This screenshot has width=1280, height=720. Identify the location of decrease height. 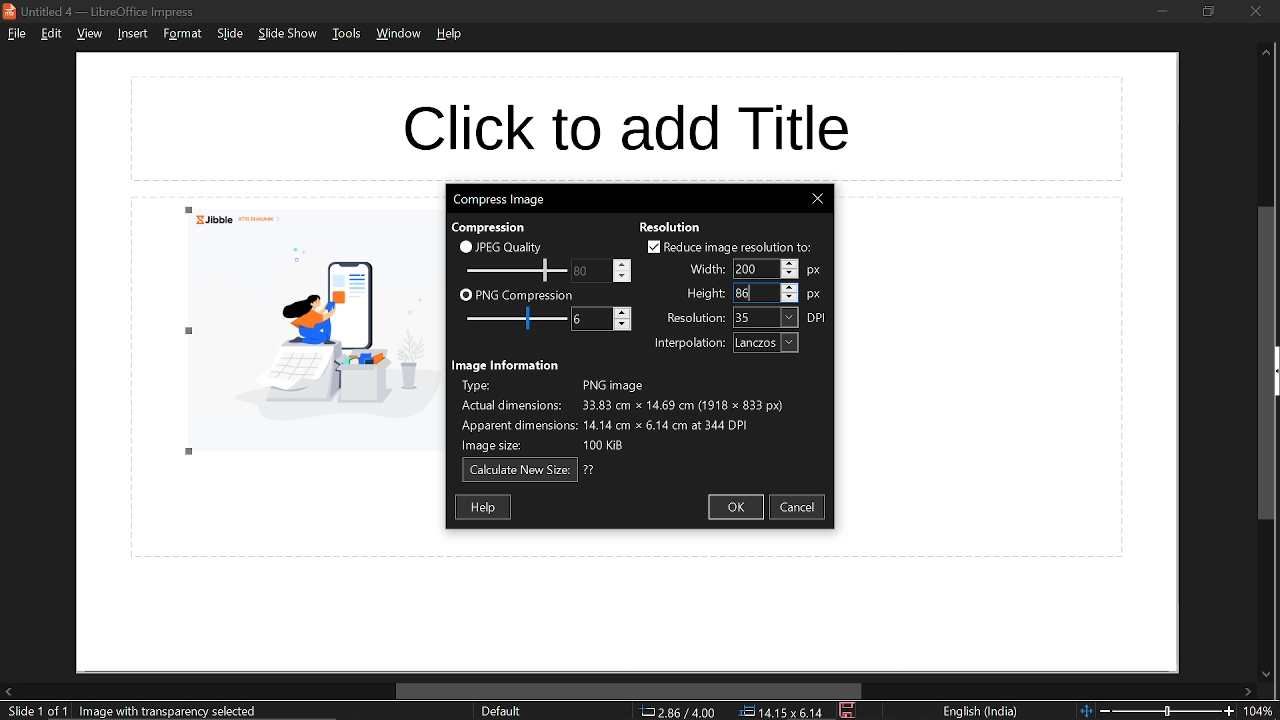
(790, 297).